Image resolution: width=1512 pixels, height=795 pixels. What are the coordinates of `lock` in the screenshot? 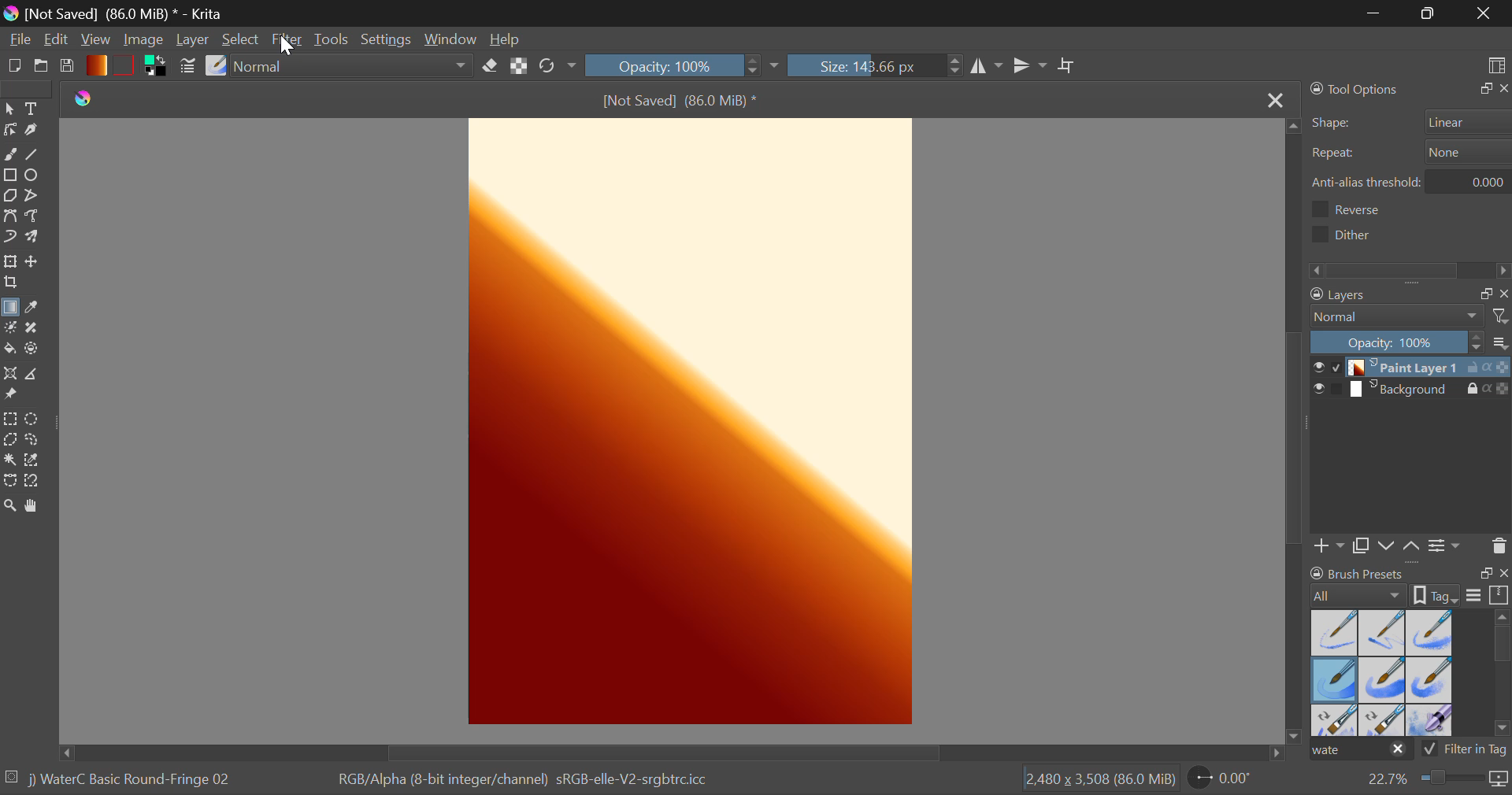 It's located at (1475, 369).